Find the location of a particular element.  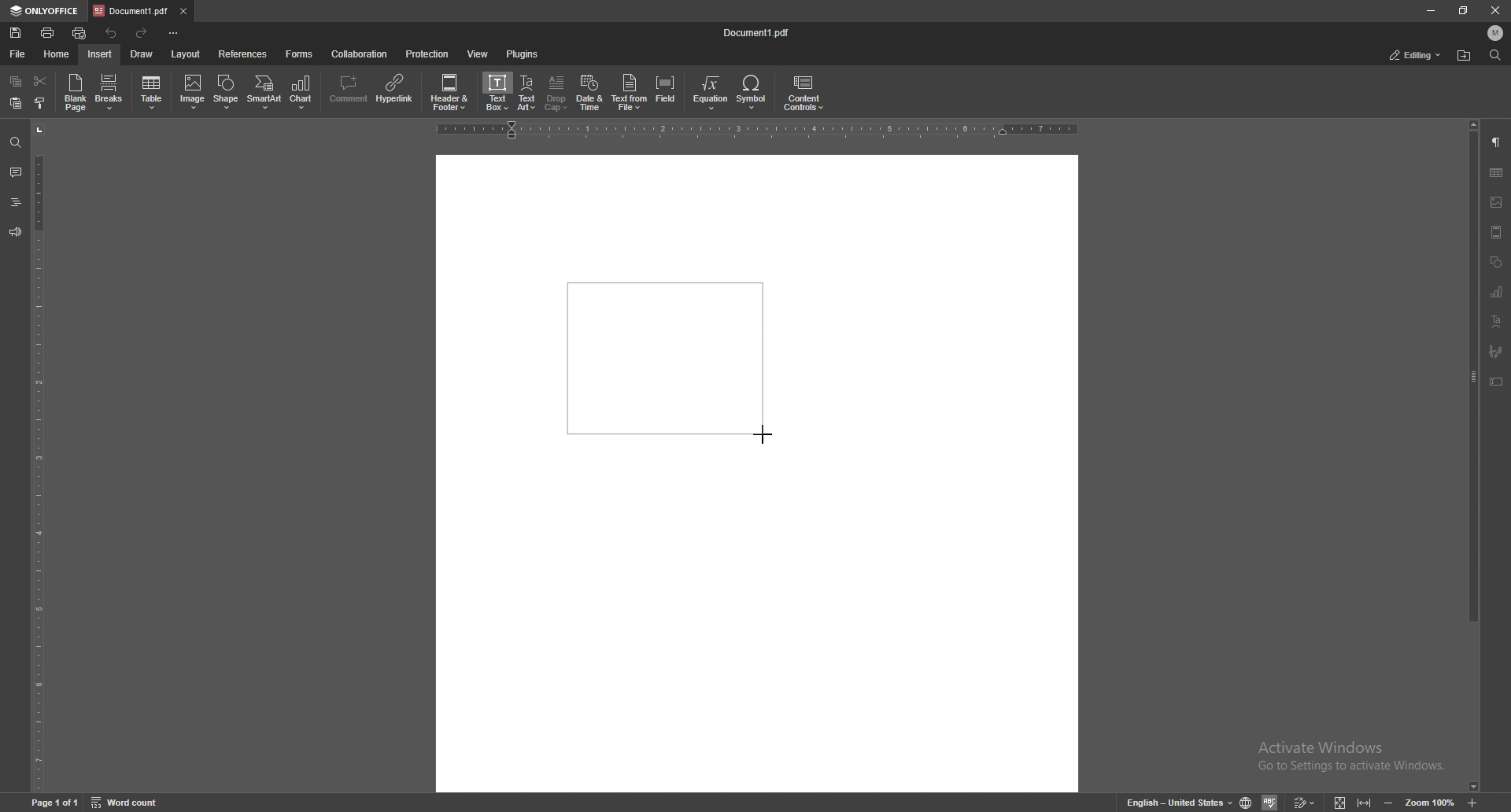

word count is located at coordinates (127, 803).